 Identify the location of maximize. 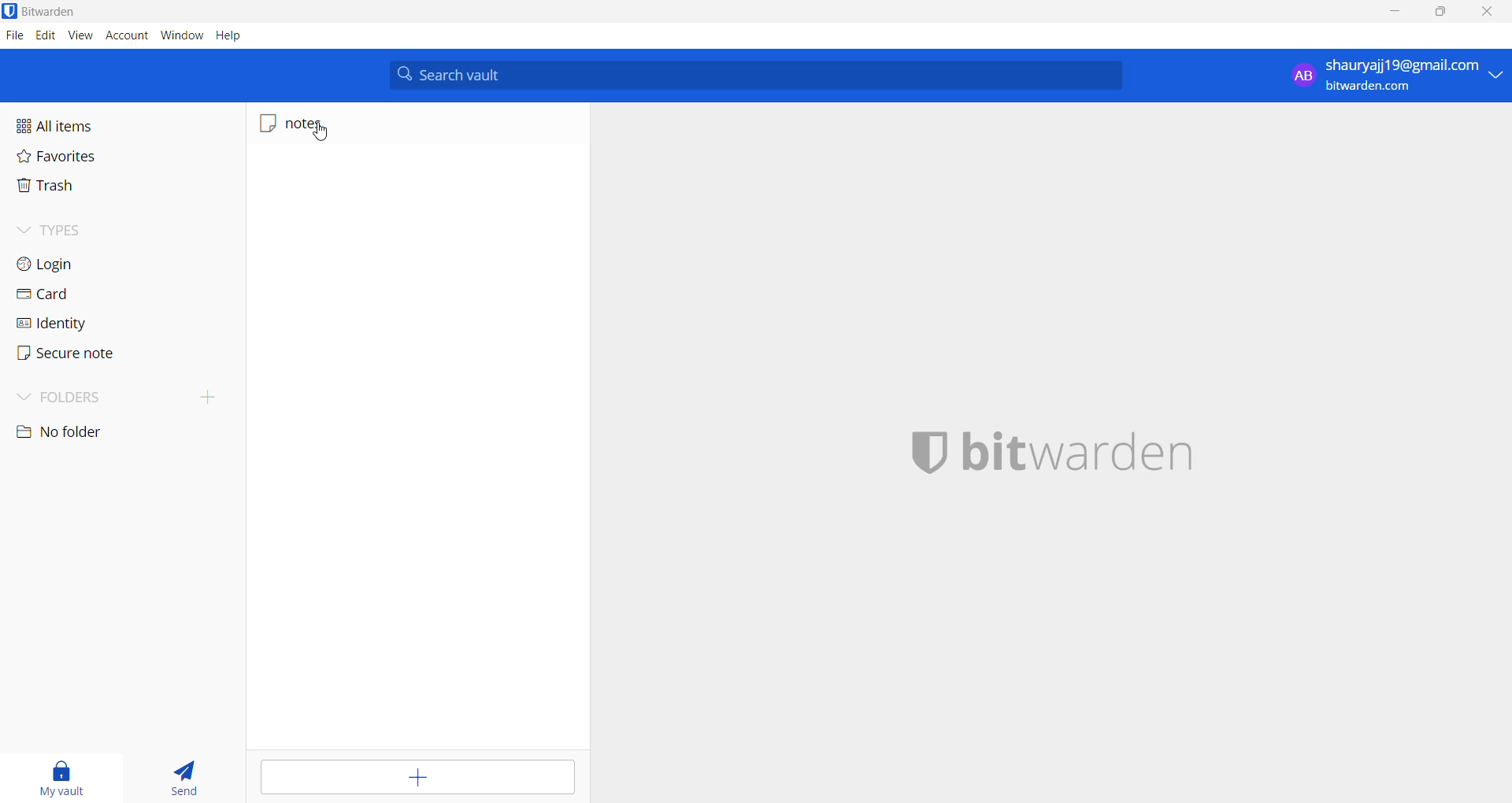
(1434, 12).